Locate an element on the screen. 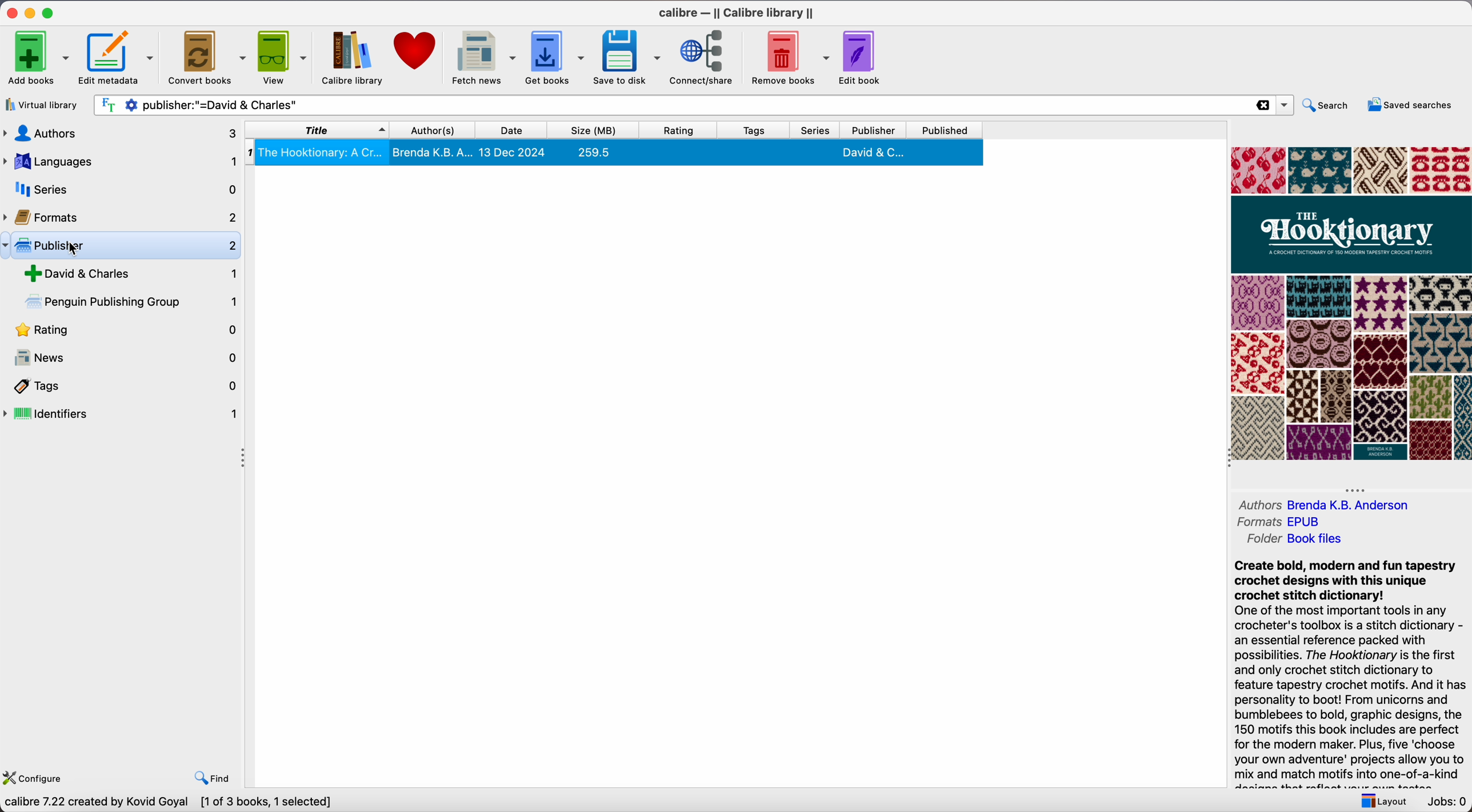  fetch news is located at coordinates (483, 58).